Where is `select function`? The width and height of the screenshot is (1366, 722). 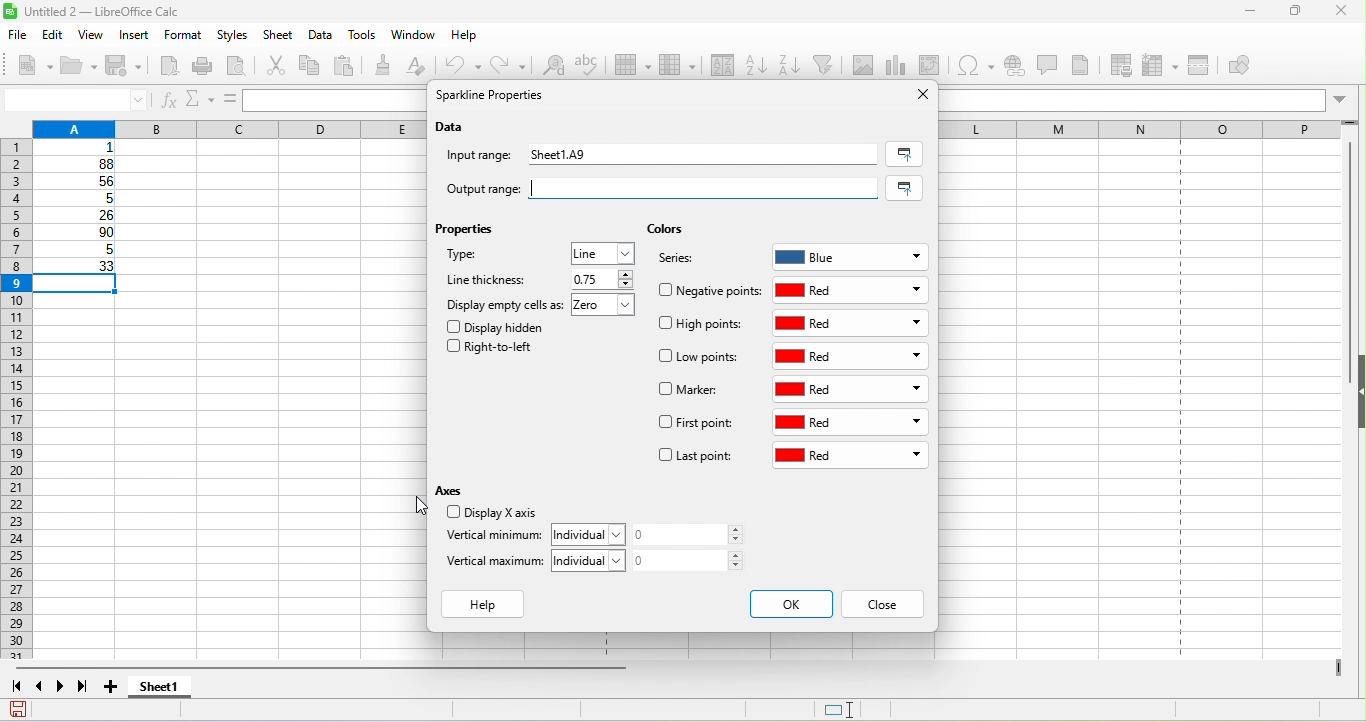
select function is located at coordinates (197, 99).